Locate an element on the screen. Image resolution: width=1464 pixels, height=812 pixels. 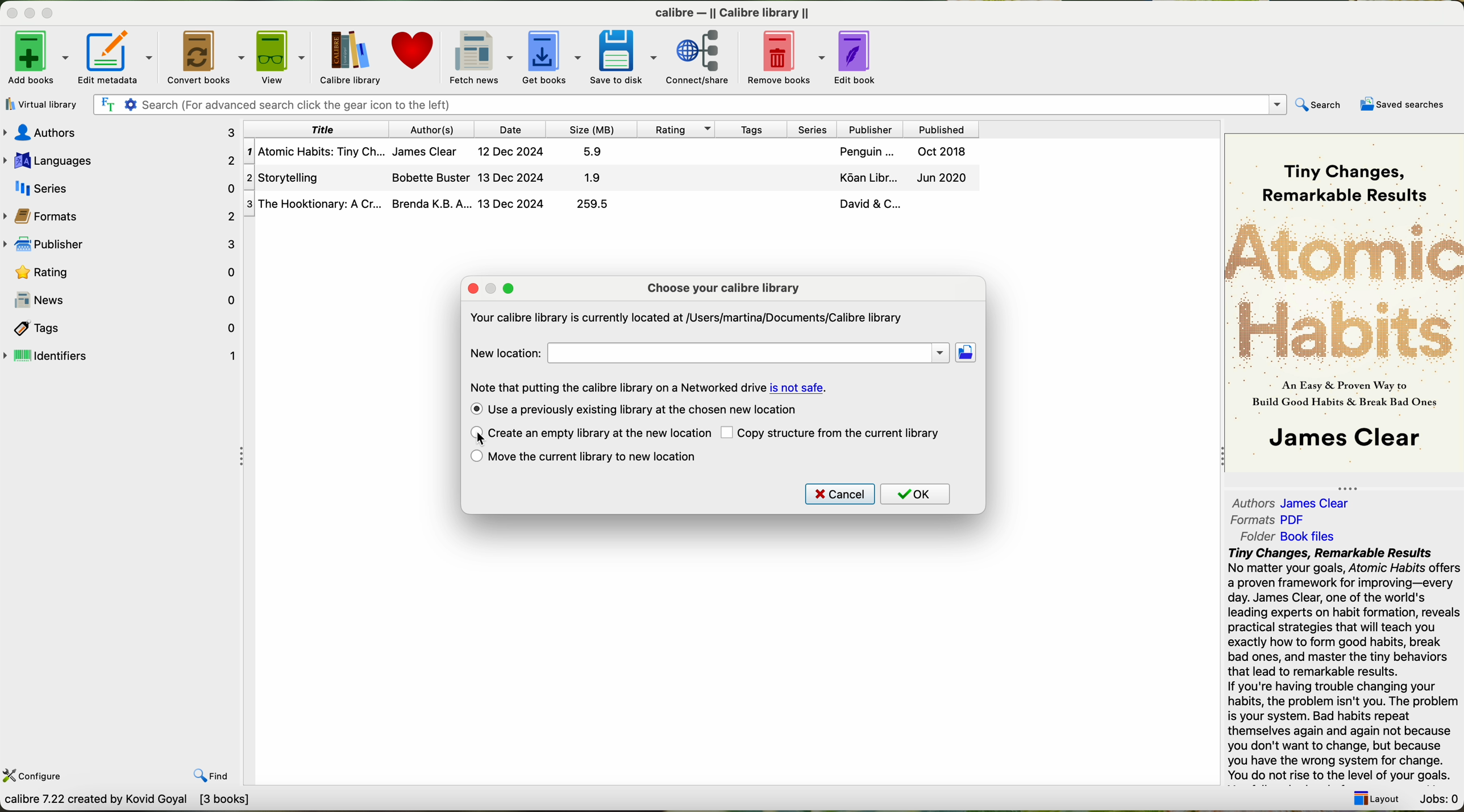
close popup is located at coordinates (474, 289).